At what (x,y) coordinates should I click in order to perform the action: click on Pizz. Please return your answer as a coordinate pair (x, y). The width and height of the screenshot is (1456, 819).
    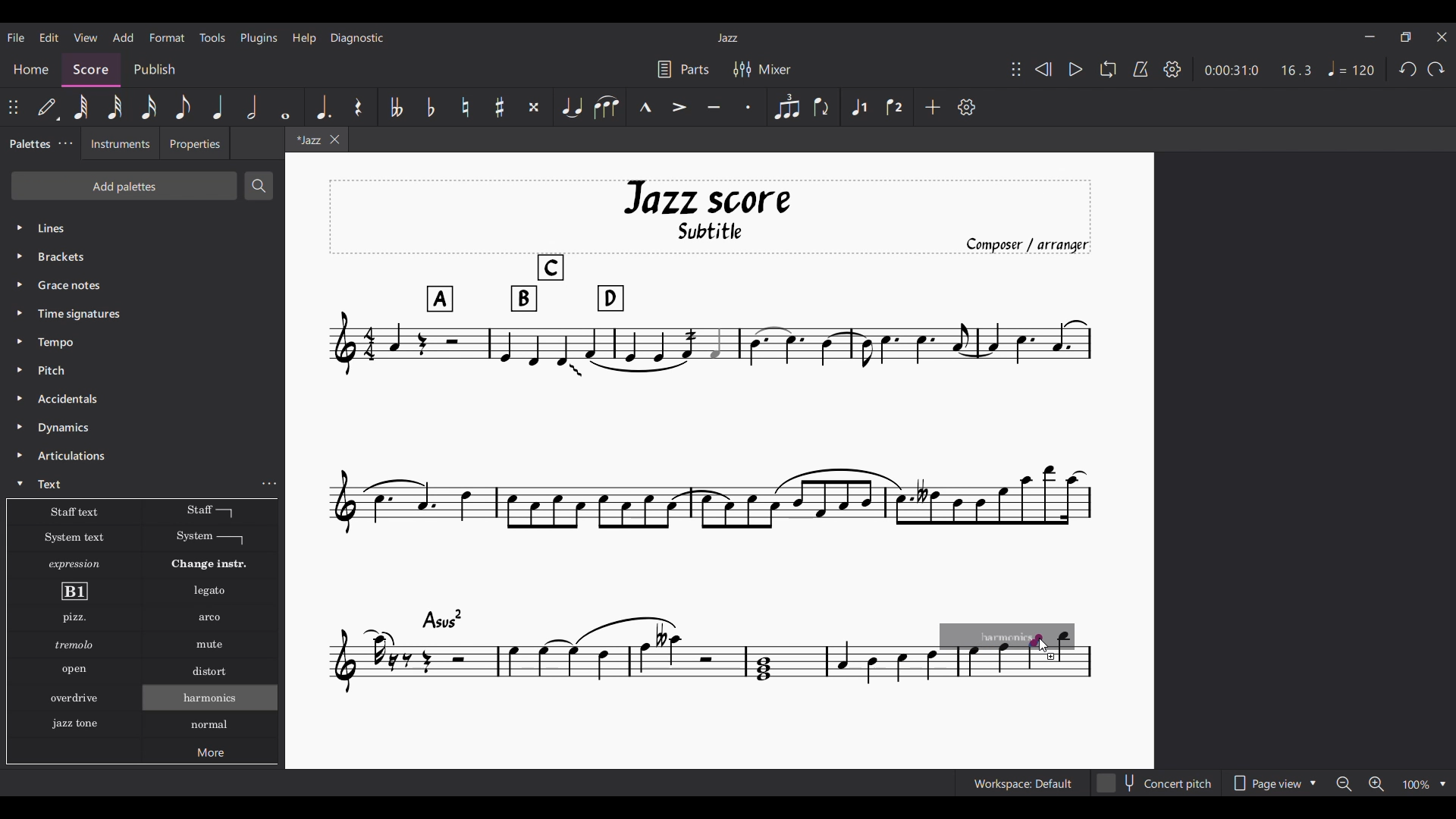
    Looking at the image, I should click on (73, 619).